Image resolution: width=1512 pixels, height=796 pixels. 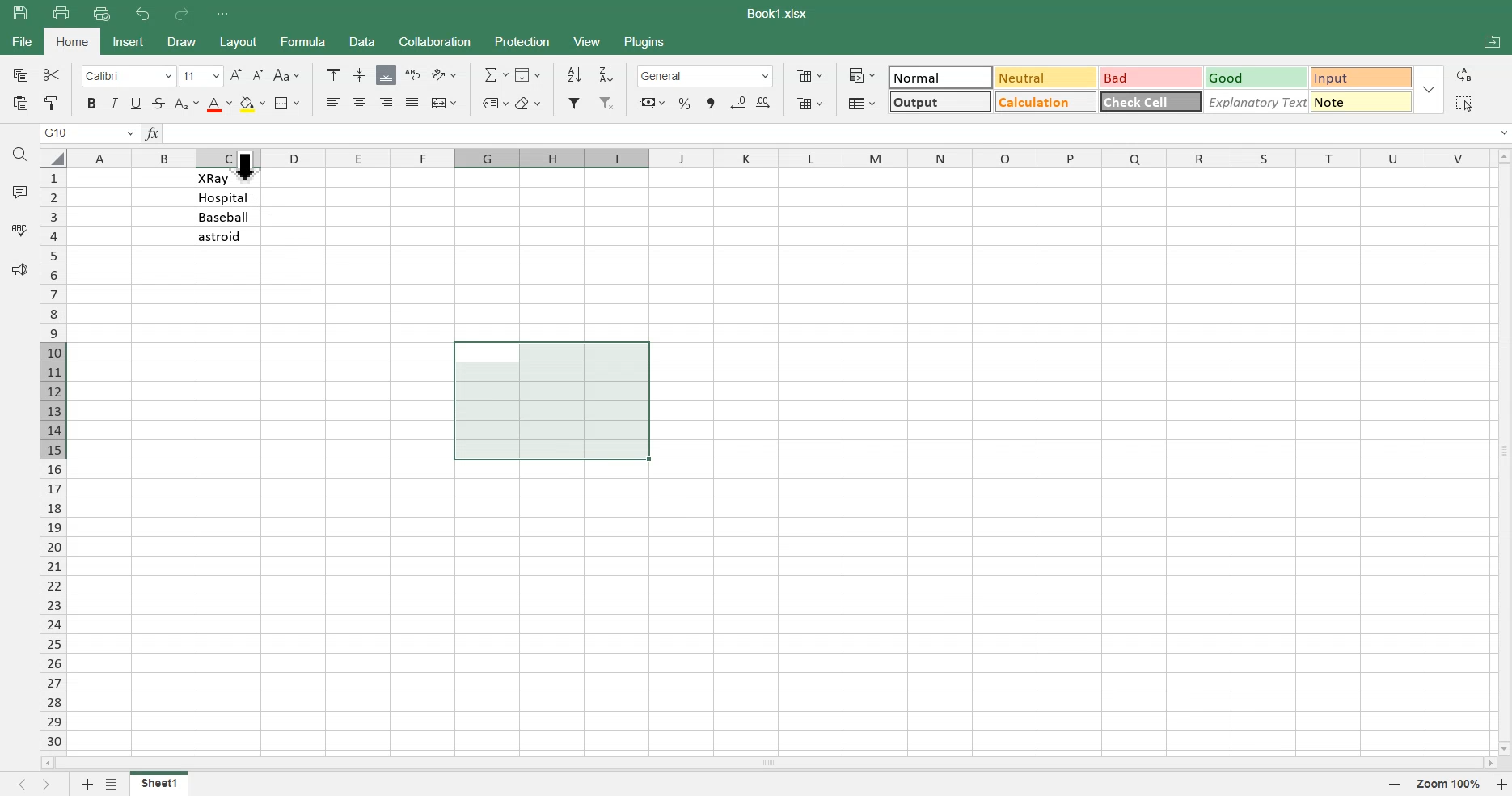 I want to click on Layout, so click(x=237, y=41).